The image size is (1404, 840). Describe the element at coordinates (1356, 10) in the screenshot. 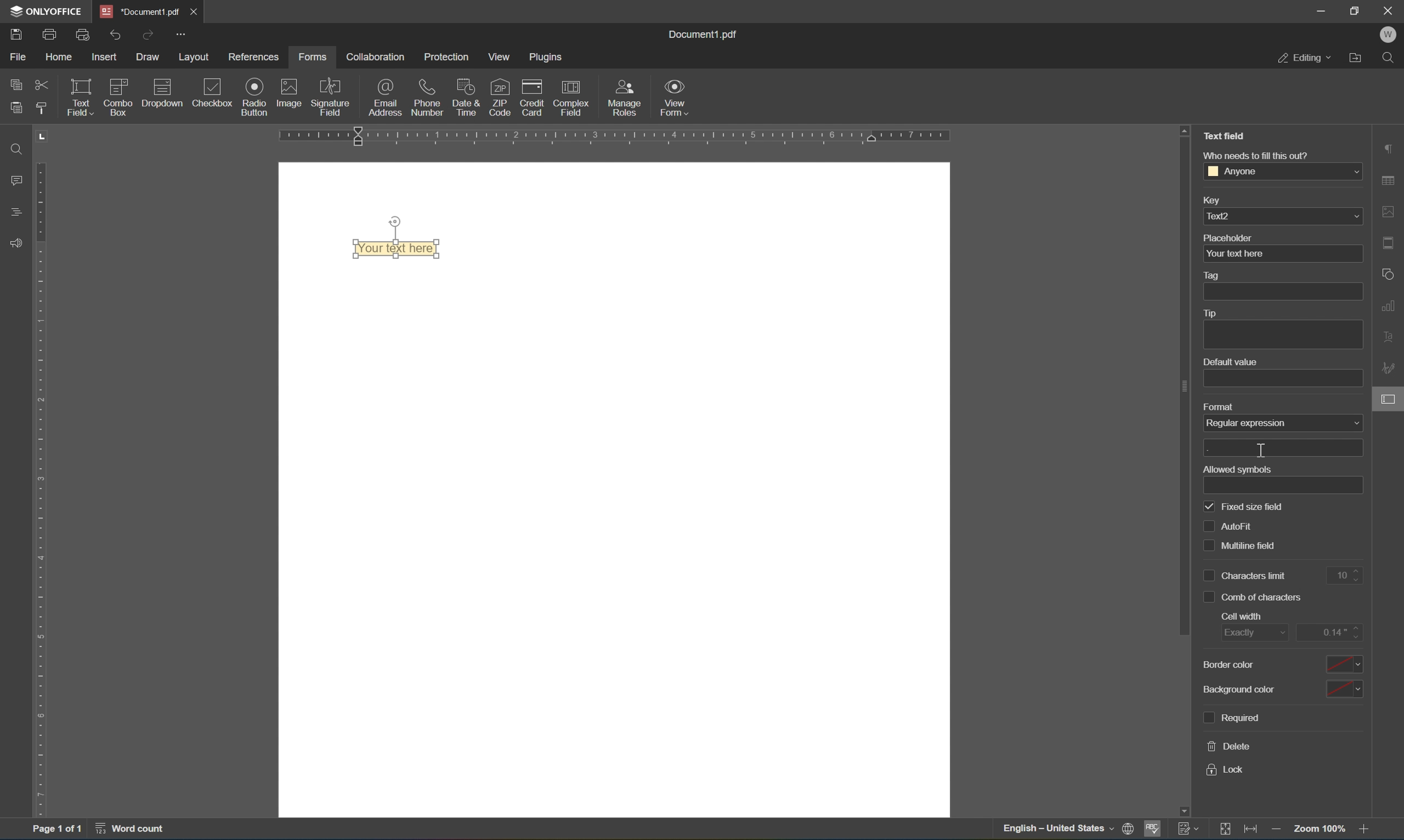

I see `restore down` at that location.